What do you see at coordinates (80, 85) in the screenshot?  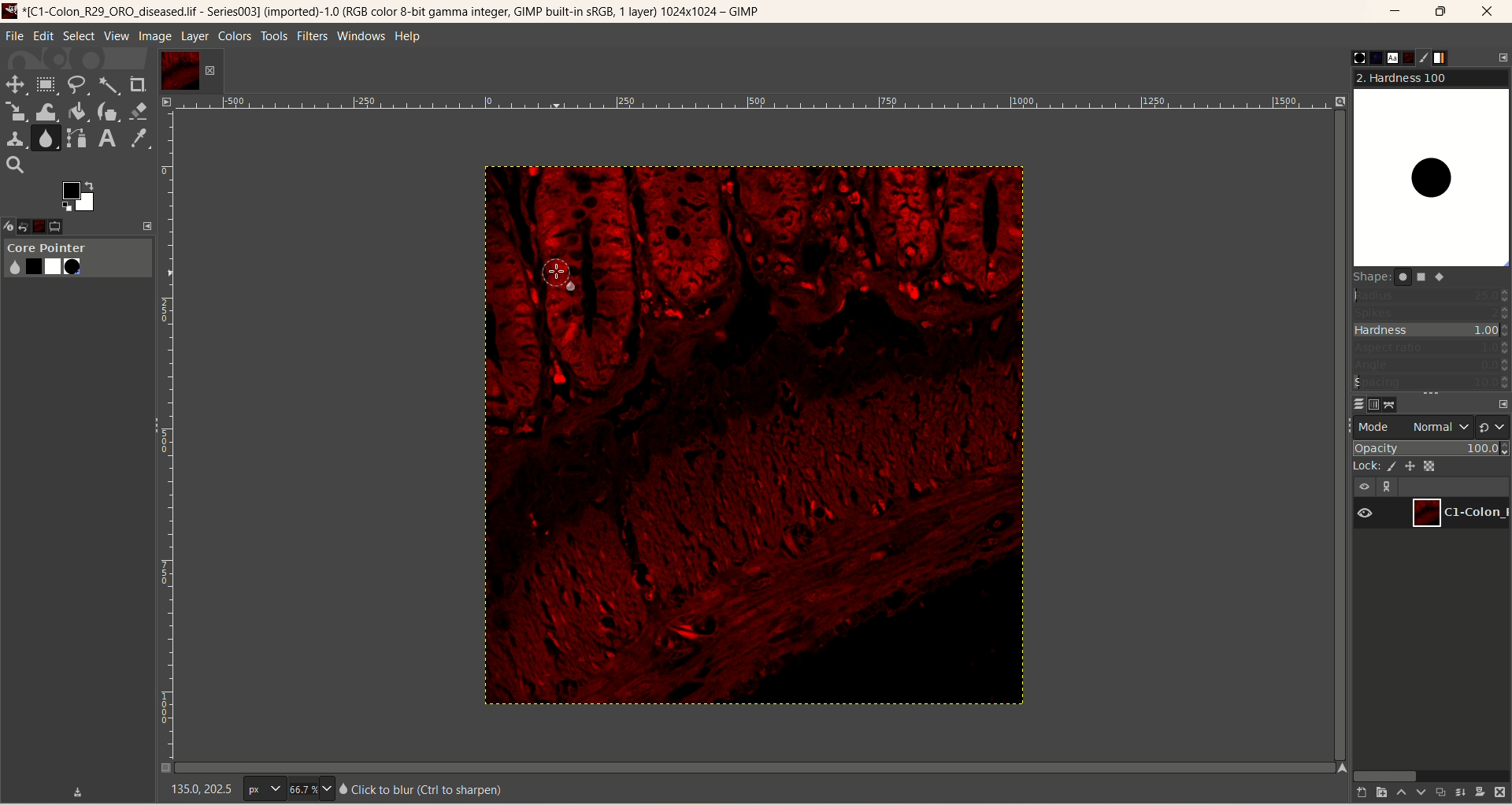 I see `free select tool` at bounding box center [80, 85].